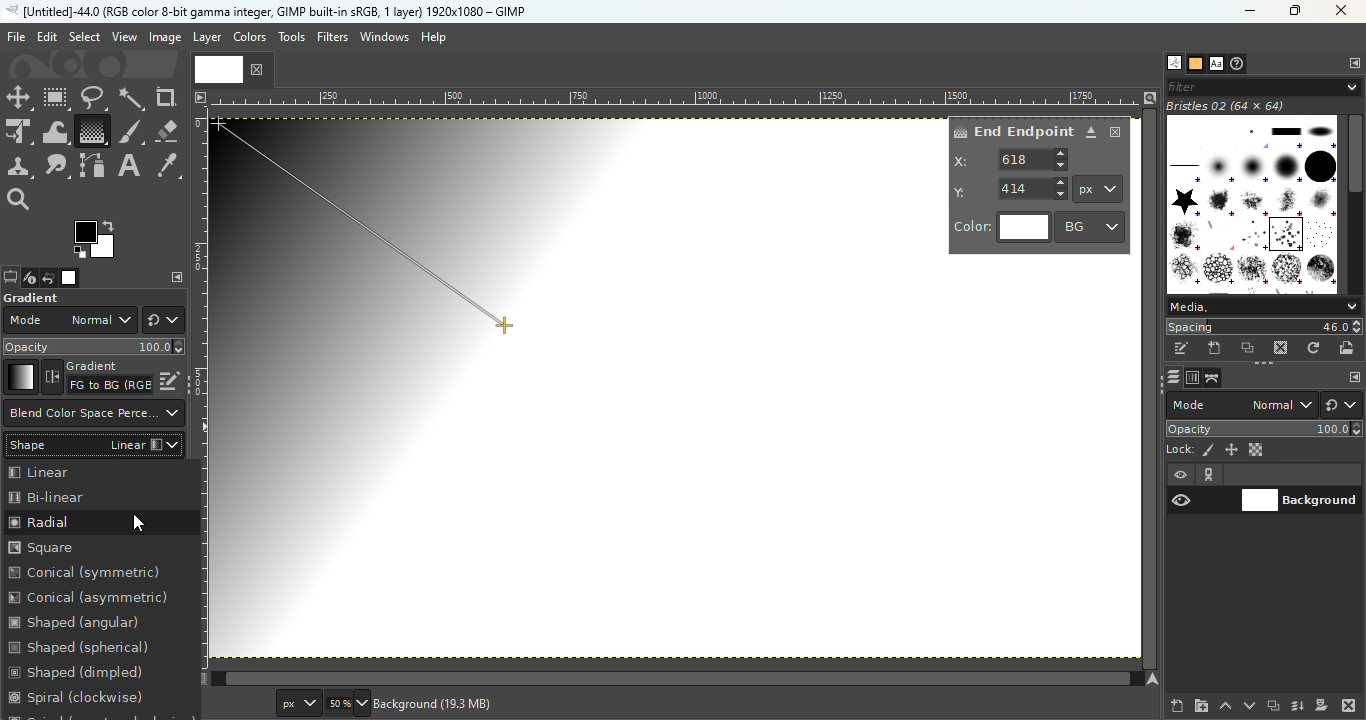  I want to click on Conical (asymmetric), so click(94, 598).